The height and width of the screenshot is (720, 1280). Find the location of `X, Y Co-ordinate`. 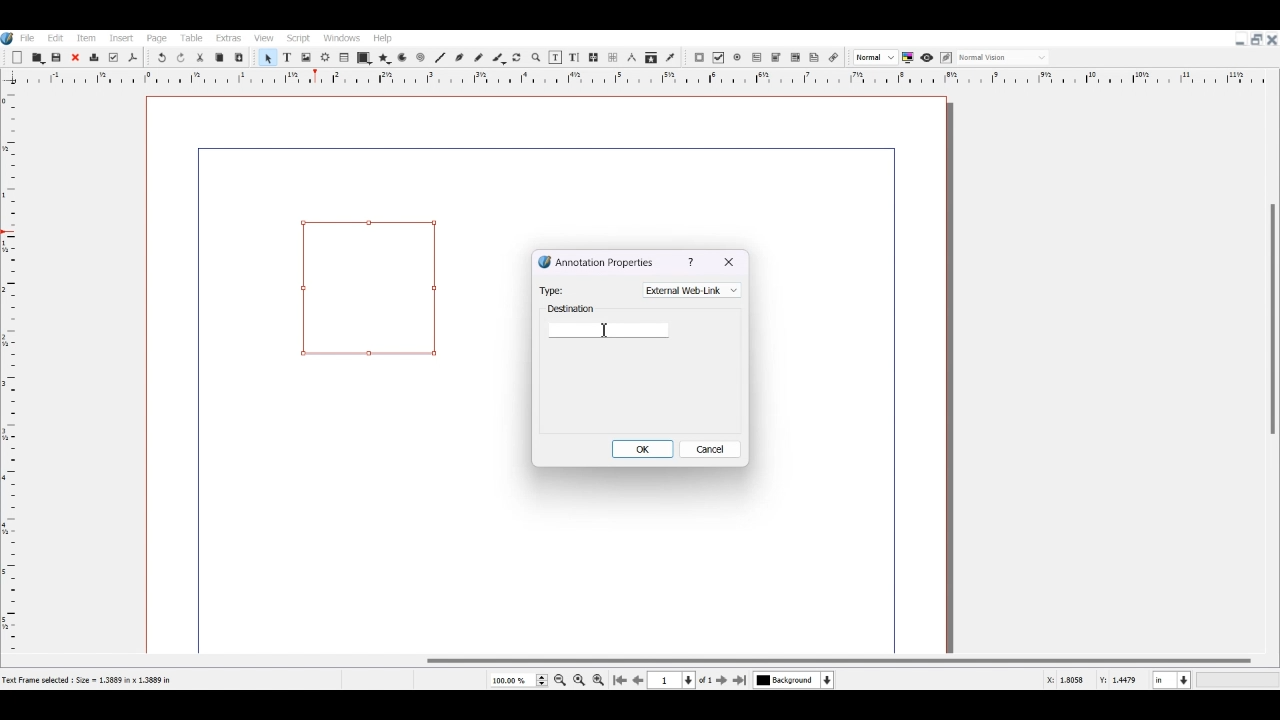

X, Y Co-ordinate is located at coordinates (1067, 680).